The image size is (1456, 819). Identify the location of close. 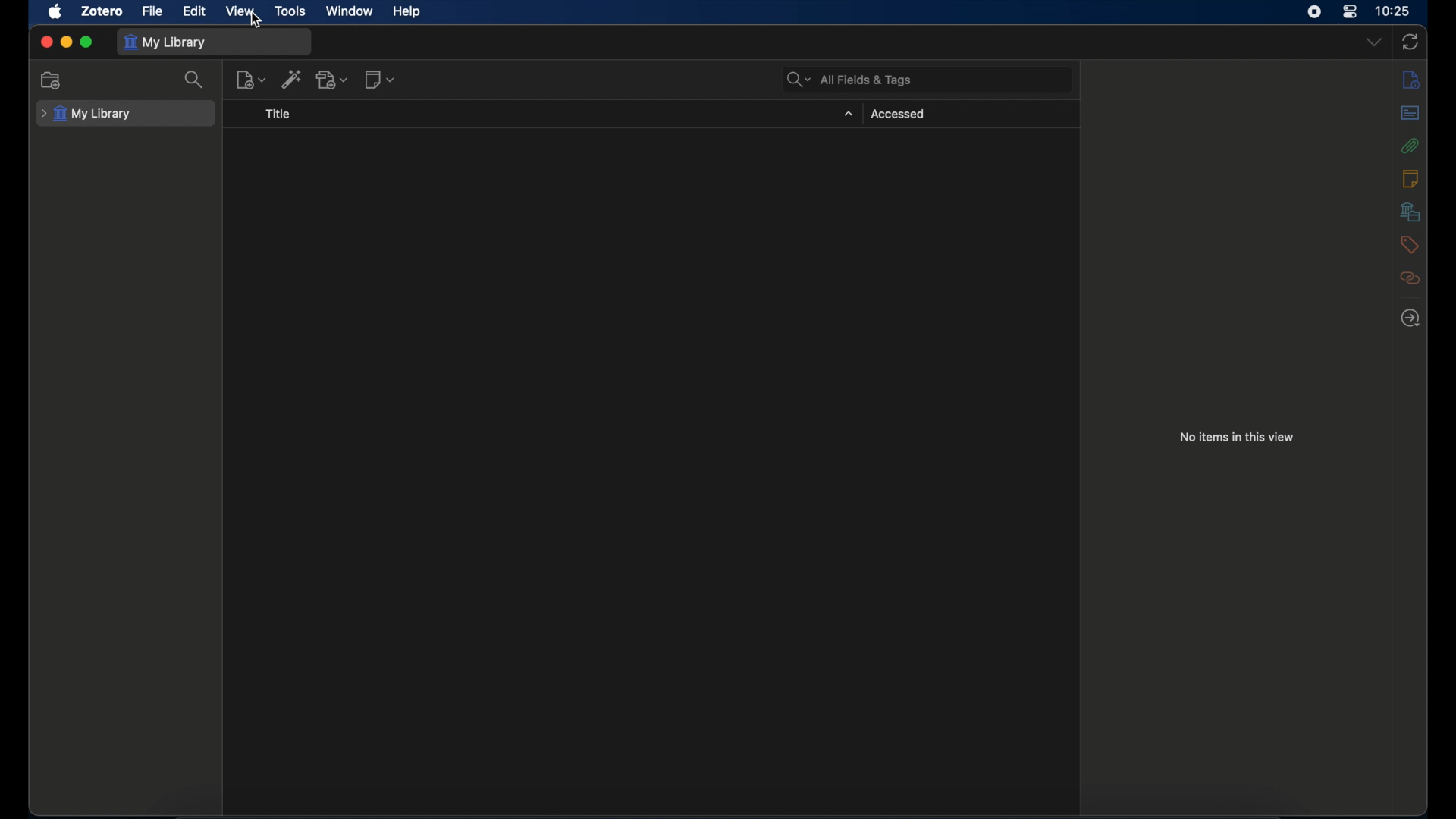
(45, 42).